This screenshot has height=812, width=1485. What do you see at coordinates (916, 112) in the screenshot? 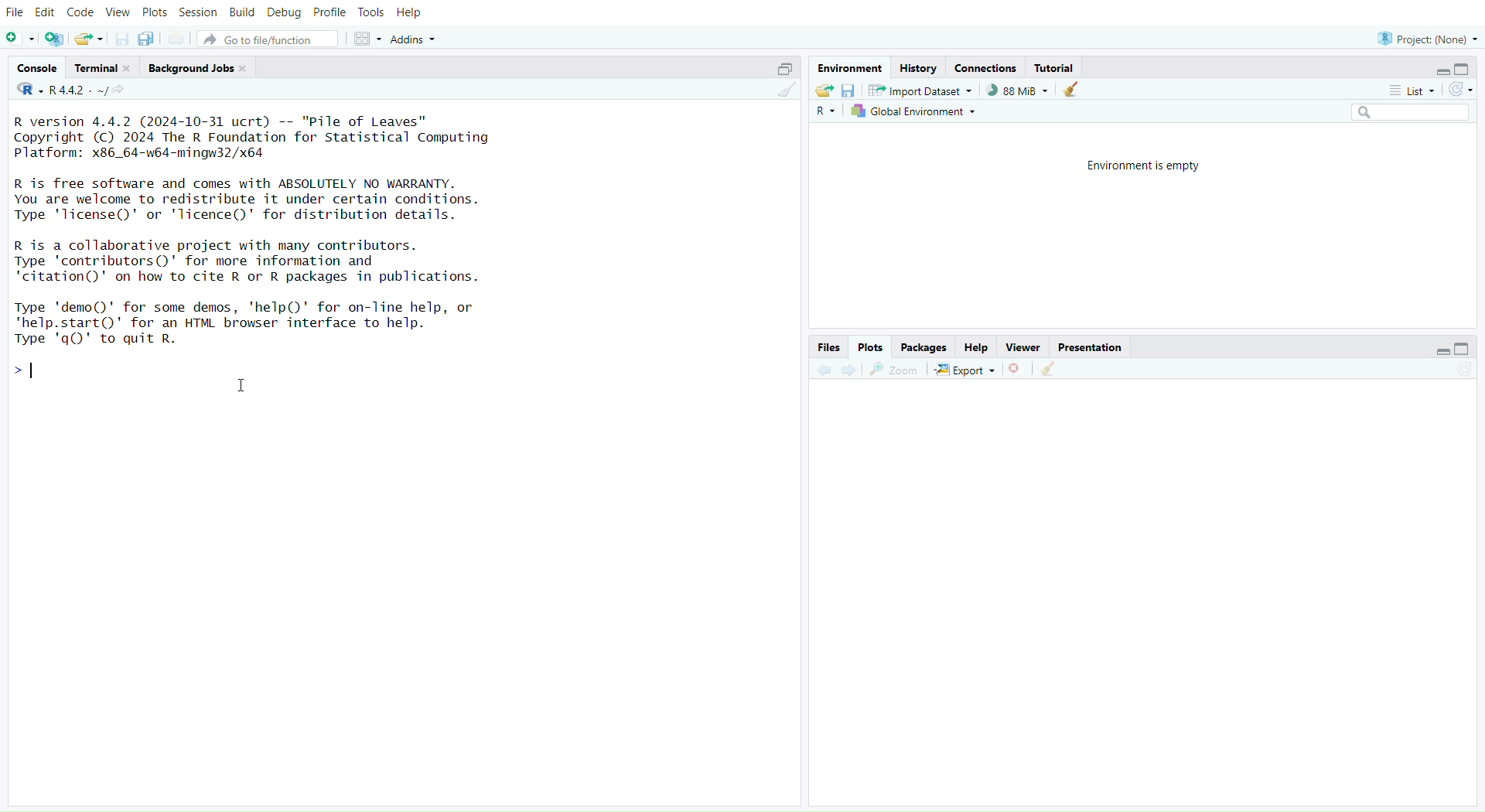
I see `global environment` at bounding box center [916, 112].